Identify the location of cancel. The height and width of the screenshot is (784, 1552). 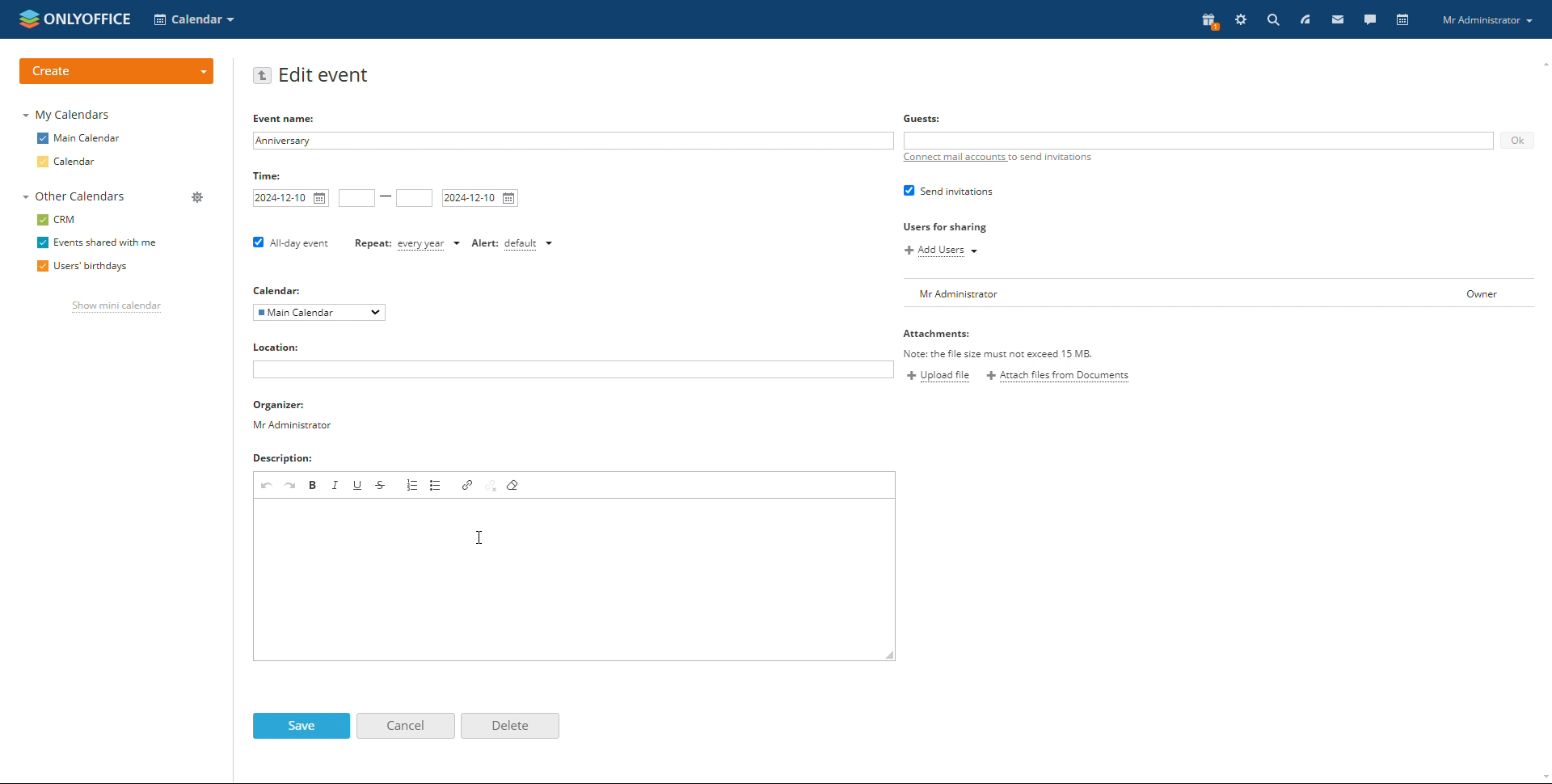
(406, 726).